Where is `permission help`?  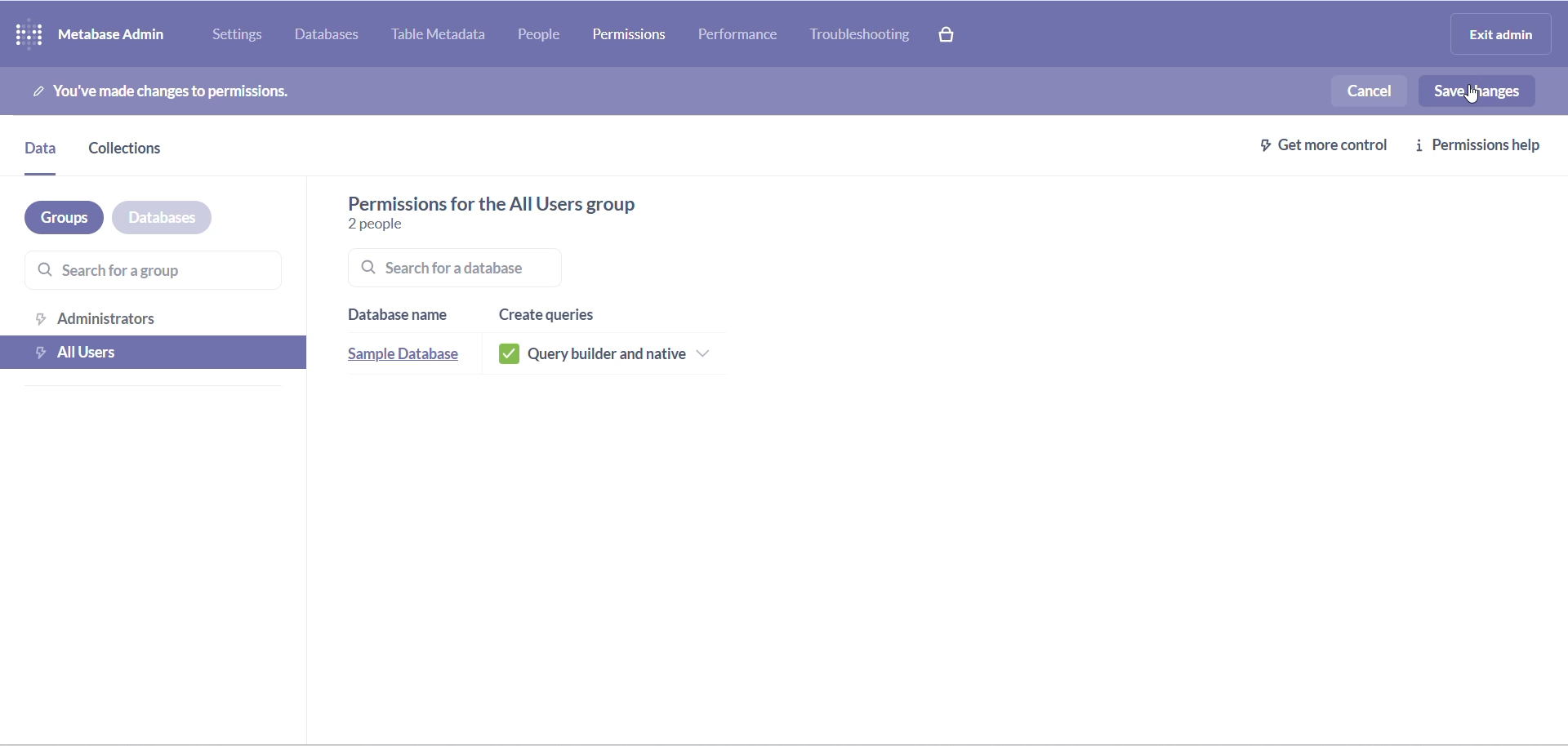 permission help is located at coordinates (1483, 145).